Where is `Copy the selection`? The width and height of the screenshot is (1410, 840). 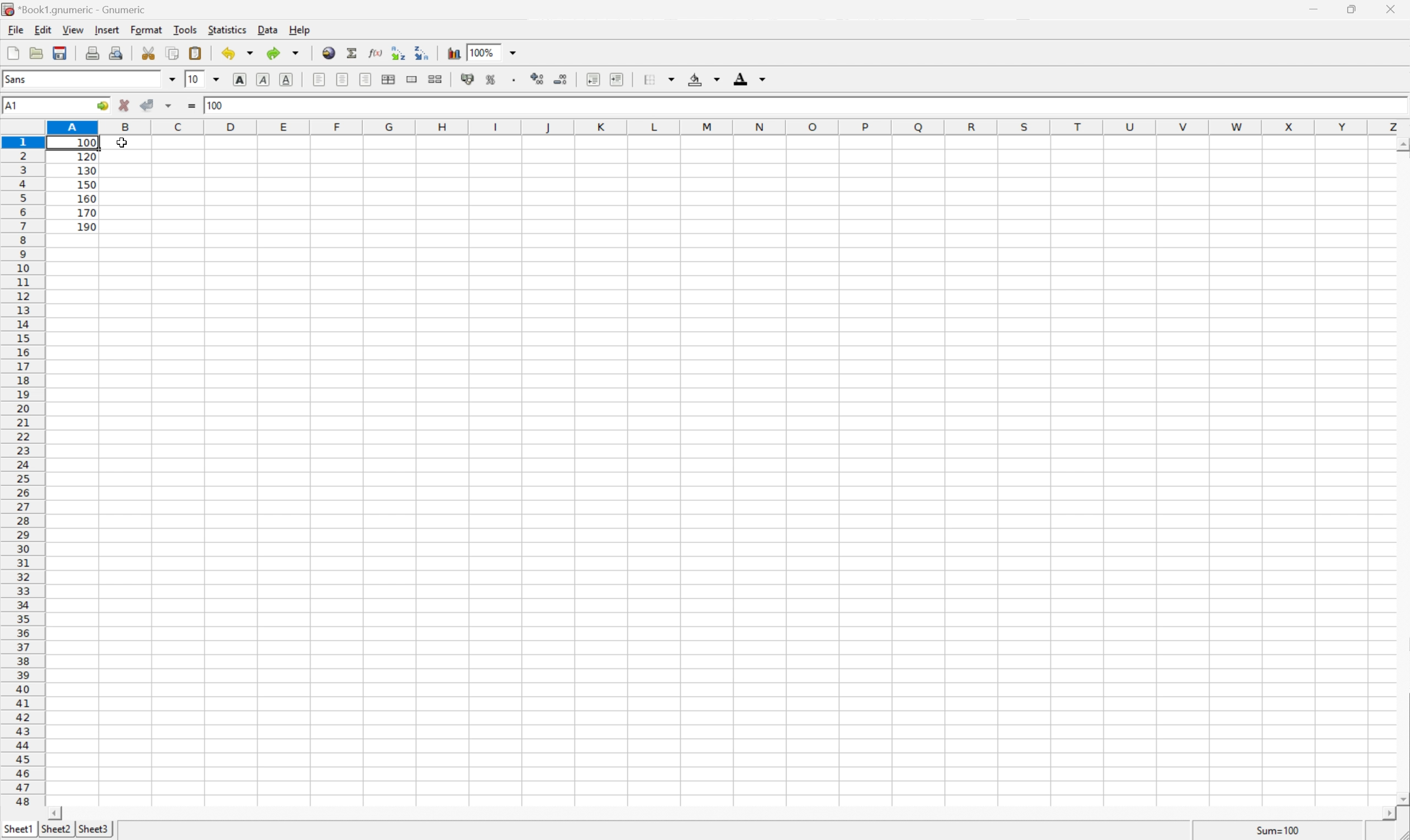
Copy the selection is located at coordinates (173, 54).